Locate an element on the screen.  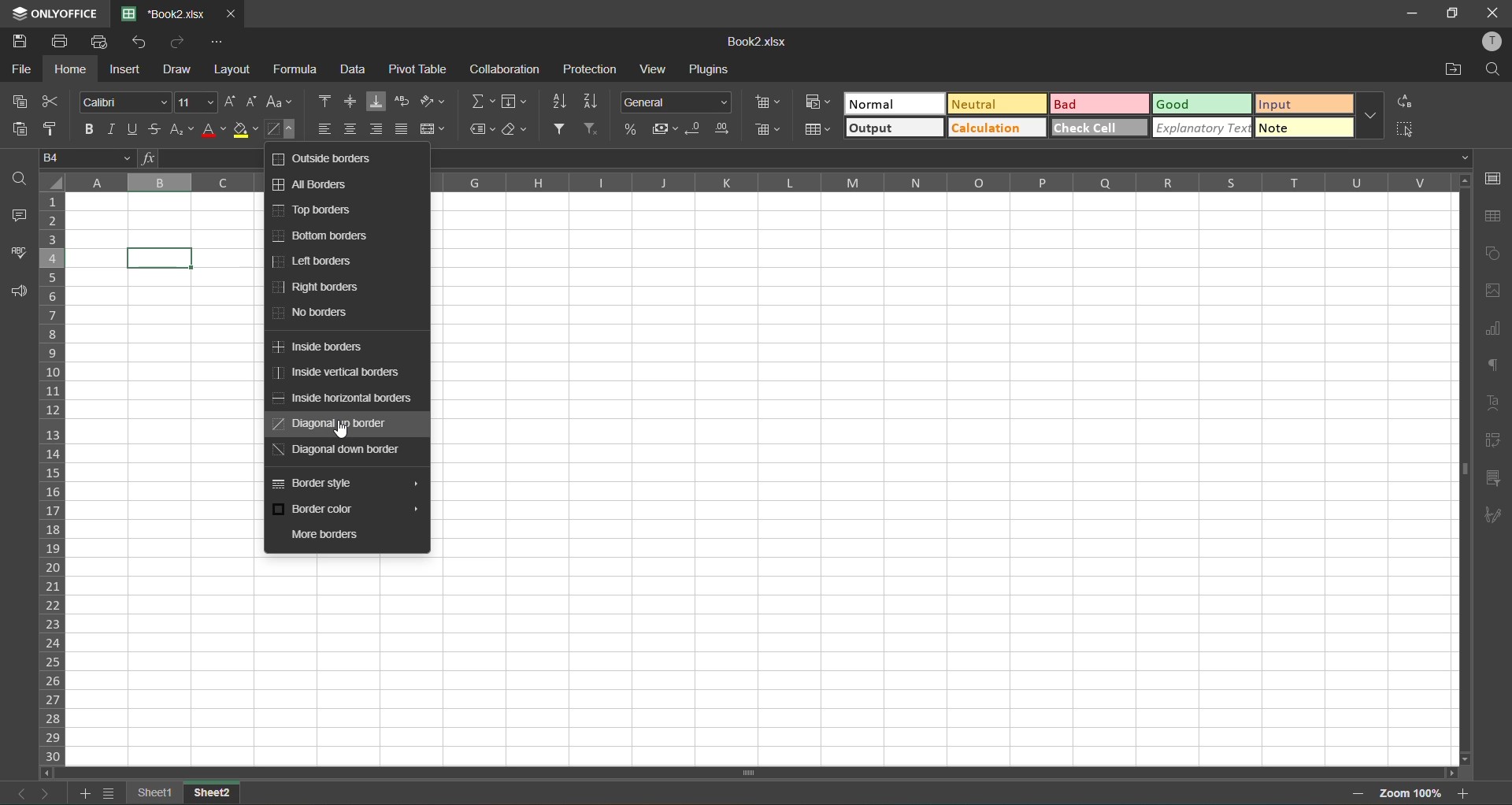
align left is located at coordinates (327, 131).